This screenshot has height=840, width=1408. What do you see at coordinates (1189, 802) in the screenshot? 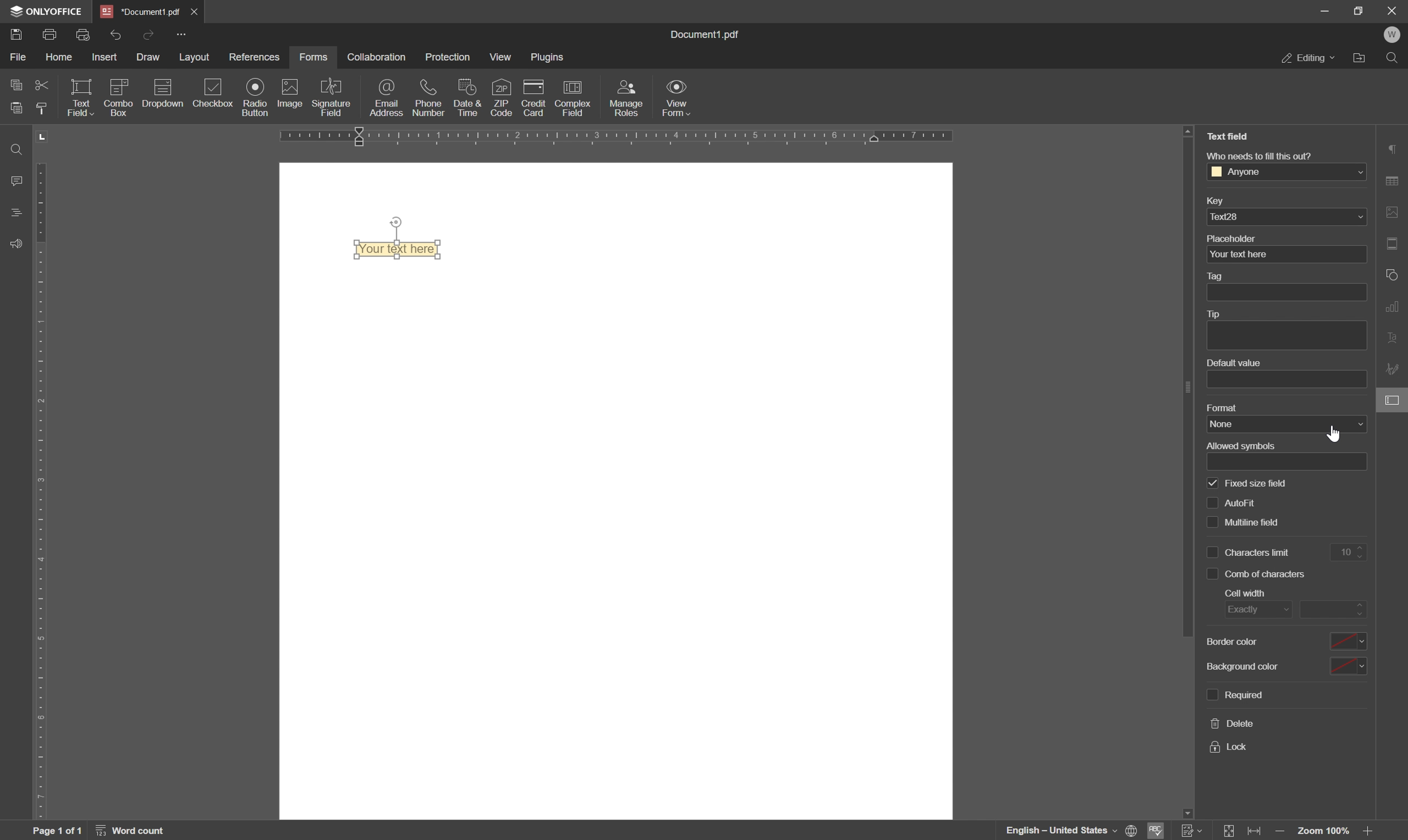
I see `scroll down` at bounding box center [1189, 802].